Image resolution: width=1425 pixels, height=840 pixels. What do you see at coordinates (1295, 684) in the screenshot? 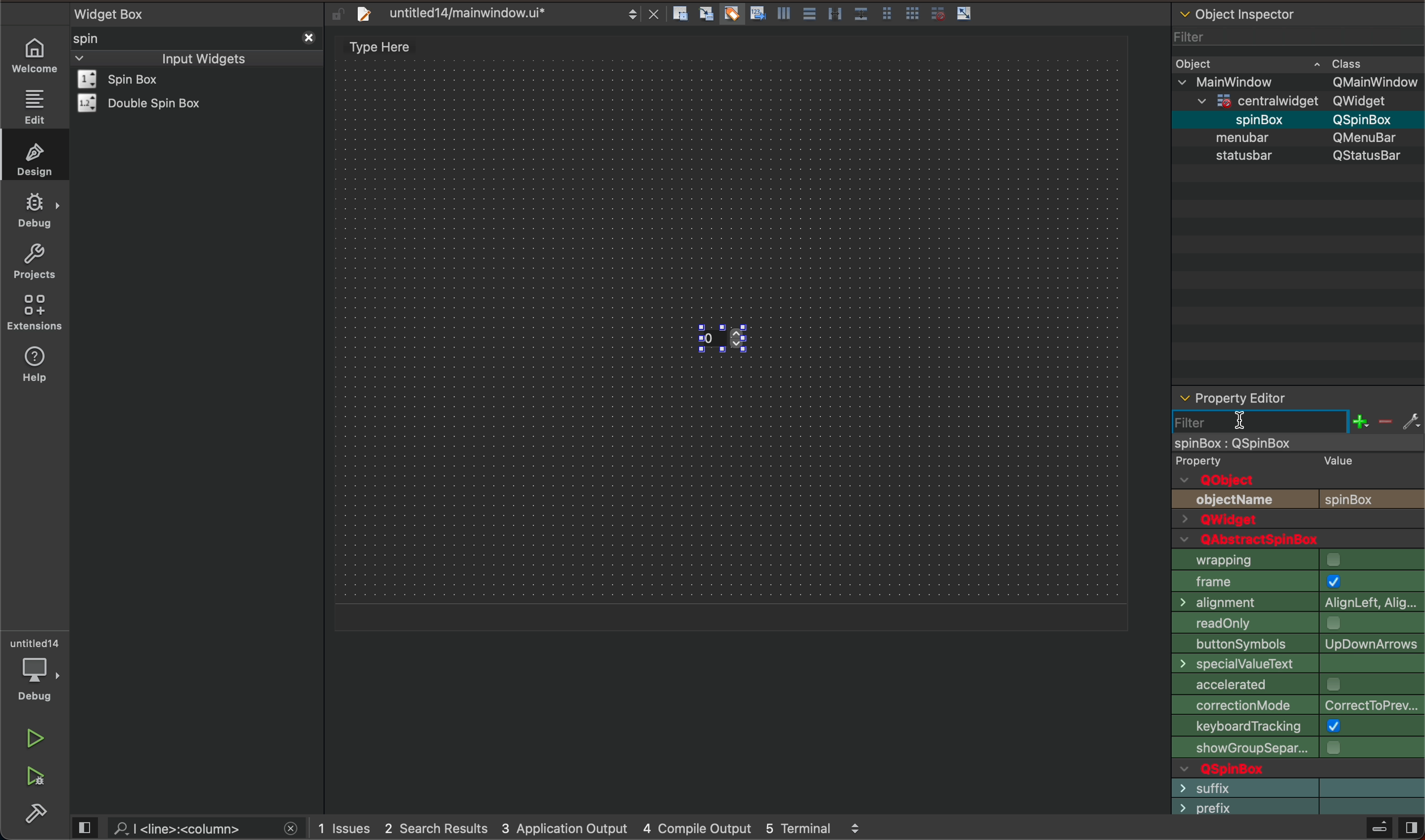
I see `dock option` at bounding box center [1295, 684].